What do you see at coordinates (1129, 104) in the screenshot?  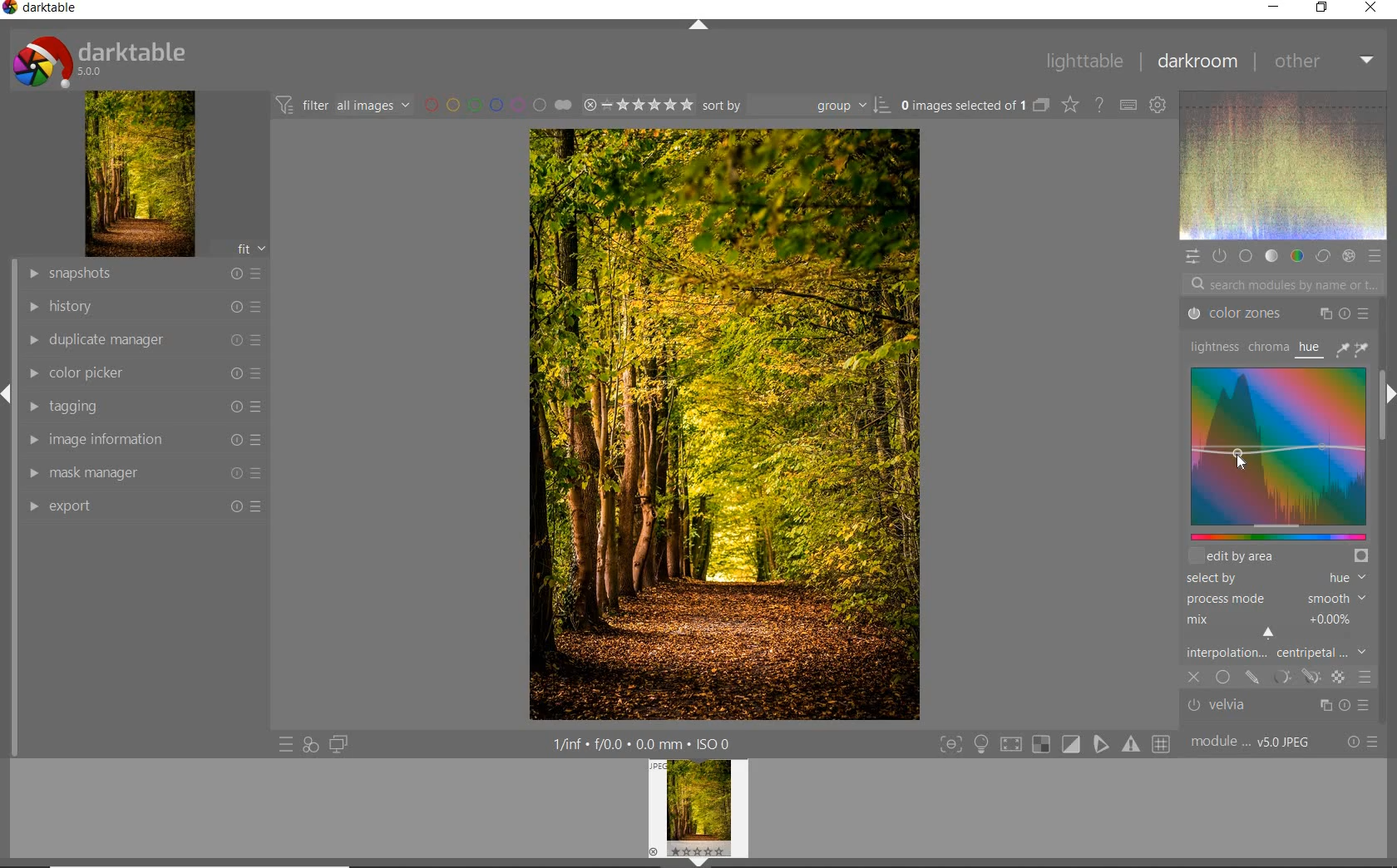 I see `DEFINE KEYBOARD SHOTCUT` at bounding box center [1129, 104].